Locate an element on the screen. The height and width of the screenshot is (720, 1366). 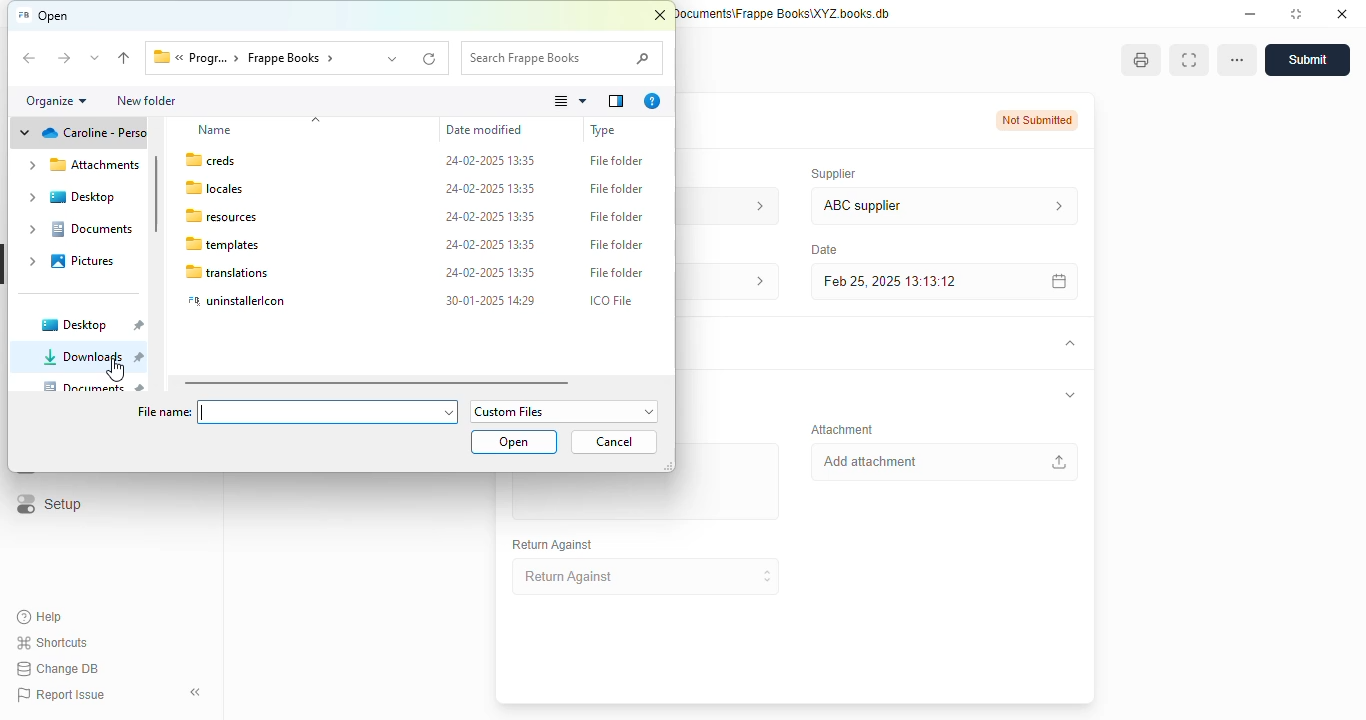
ABC supplier is located at coordinates (906, 206).